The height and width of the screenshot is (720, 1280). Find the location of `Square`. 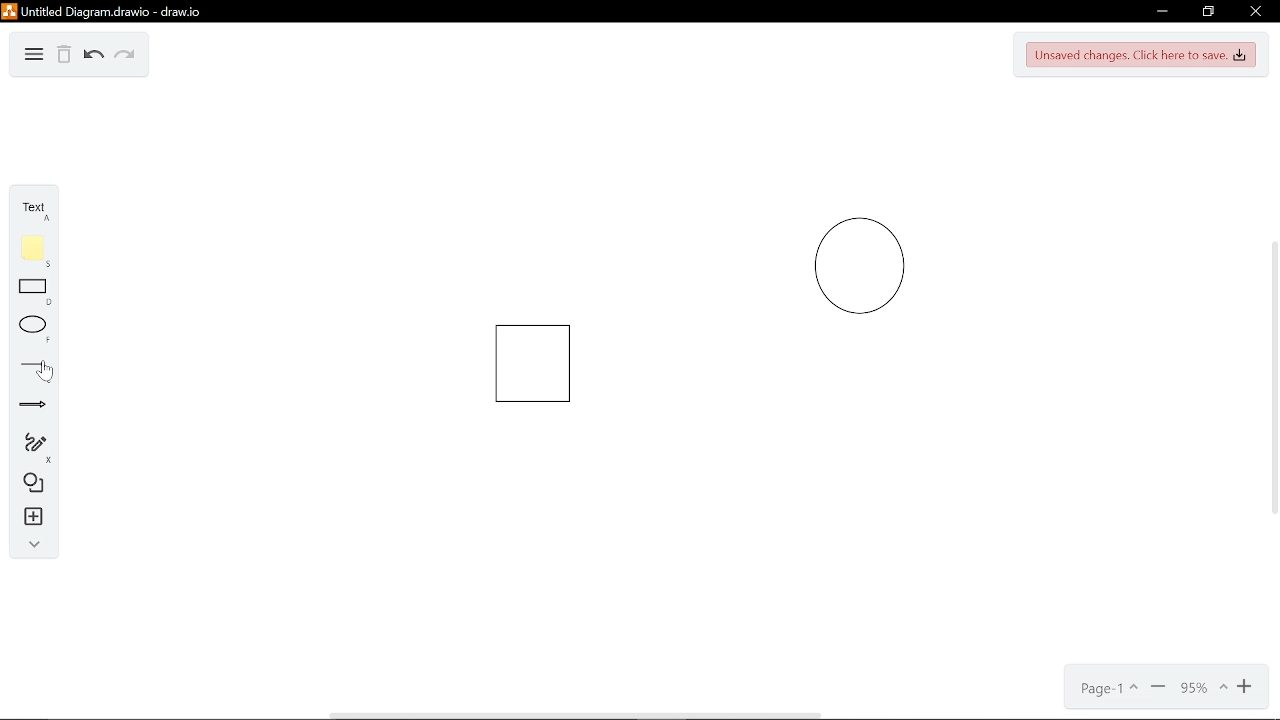

Square is located at coordinates (539, 364).